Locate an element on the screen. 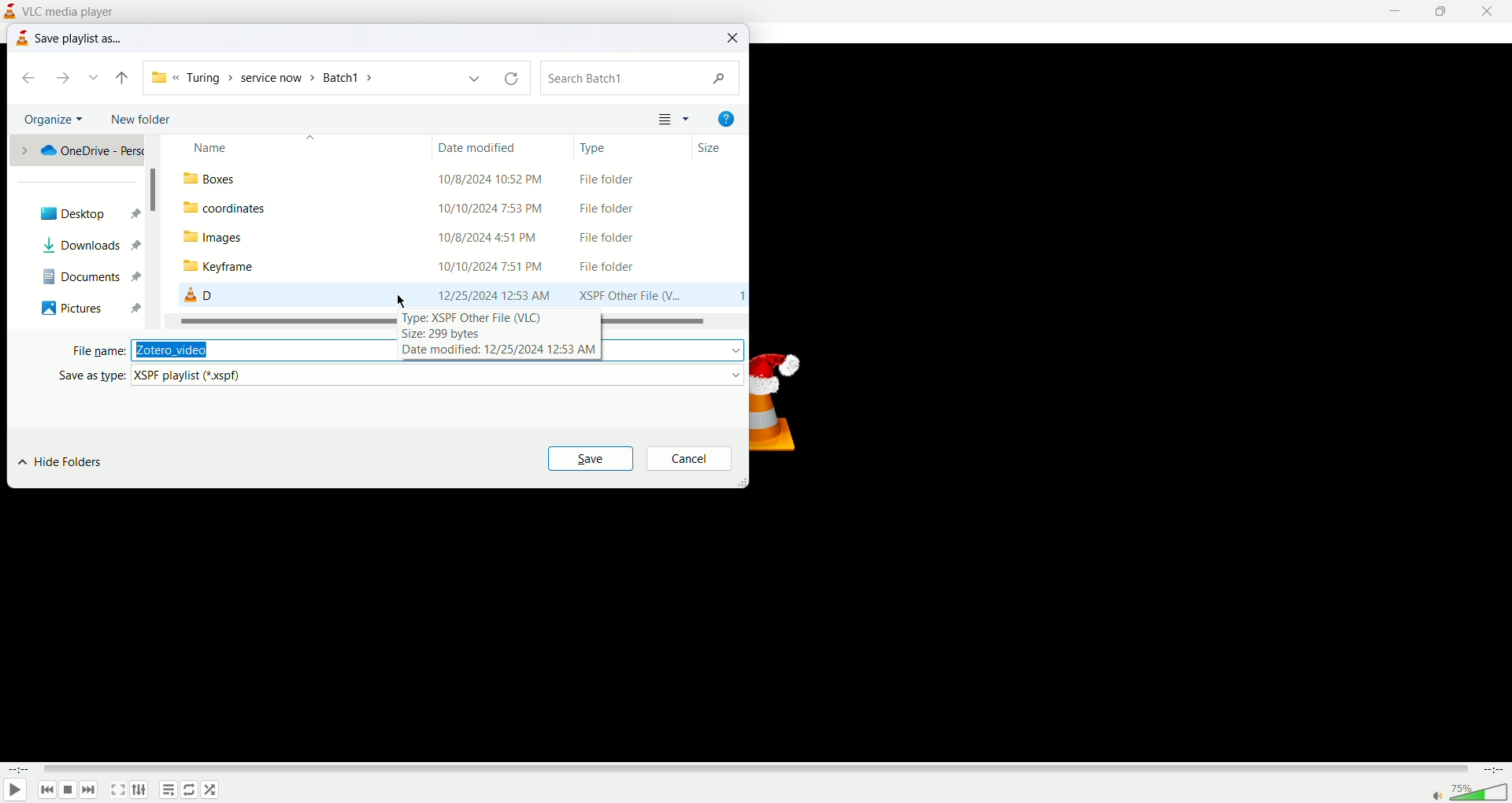 Image resolution: width=1512 pixels, height=803 pixels. help is located at coordinates (725, 119).